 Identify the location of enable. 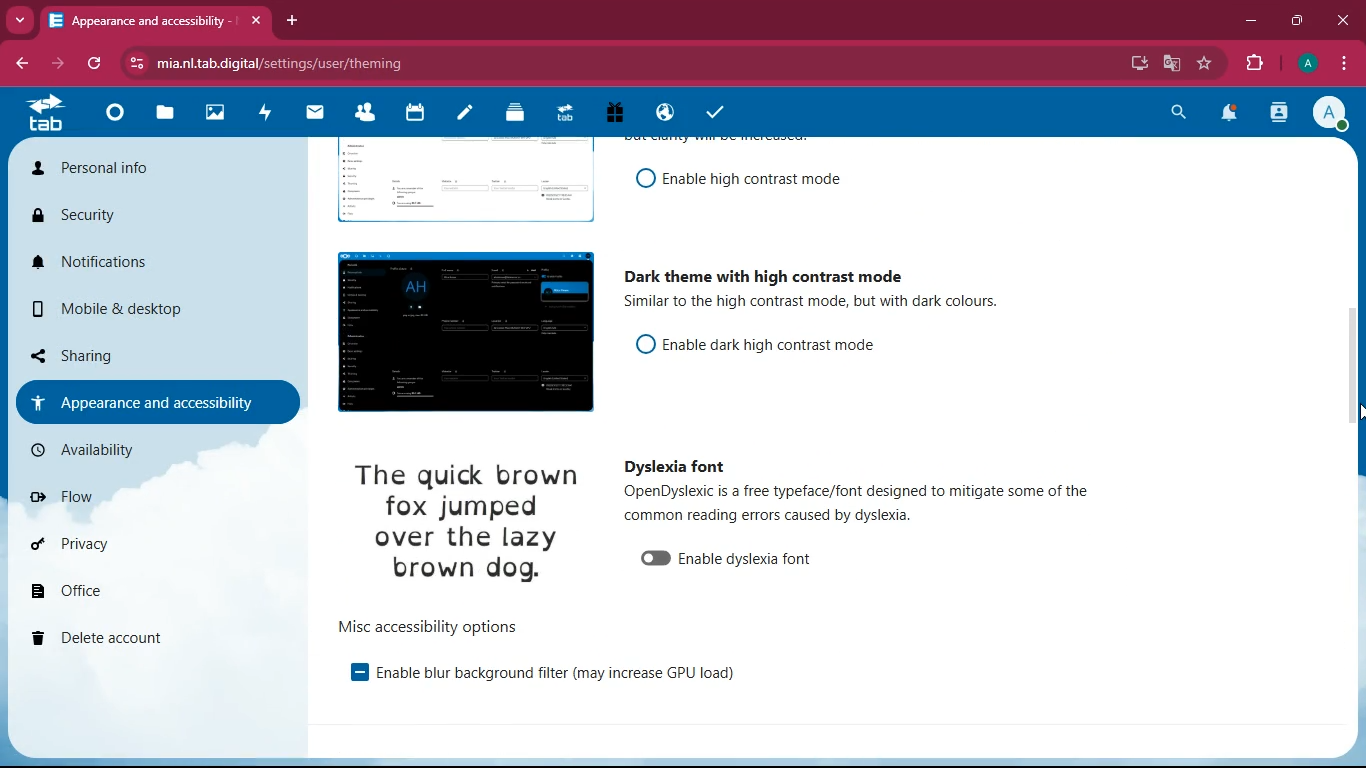
(751, 179).